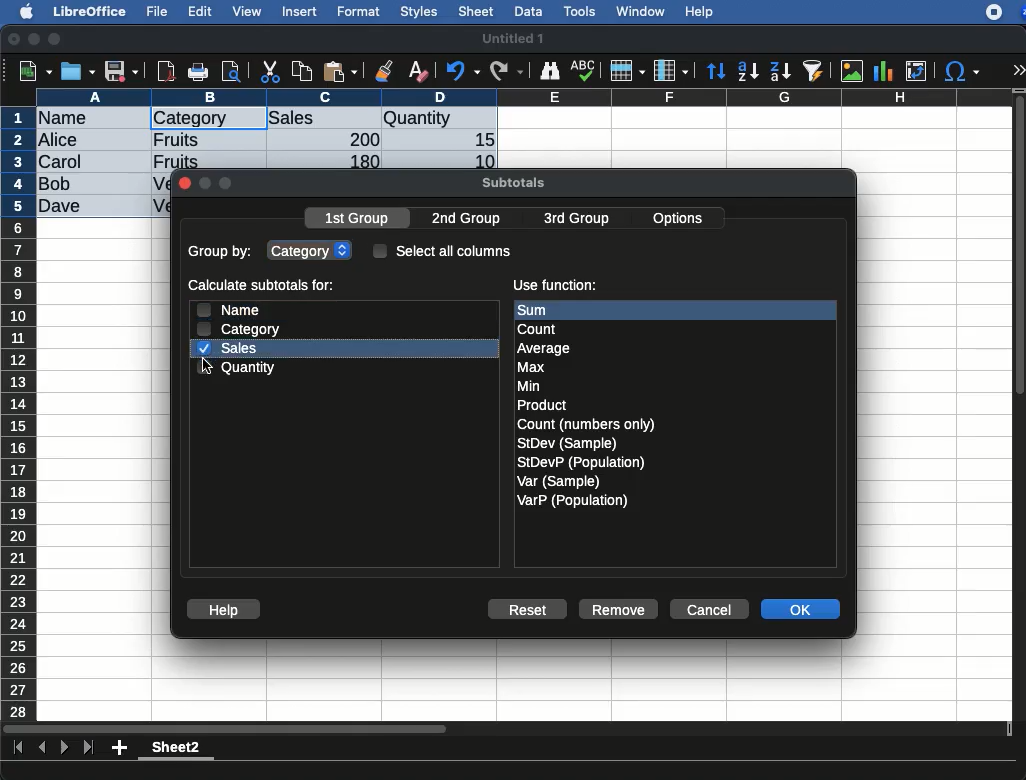 This screenshot has width=1026, height=780. Describe the element at coordinates (21, 10) in the screenshot. I see `apple` at that location.